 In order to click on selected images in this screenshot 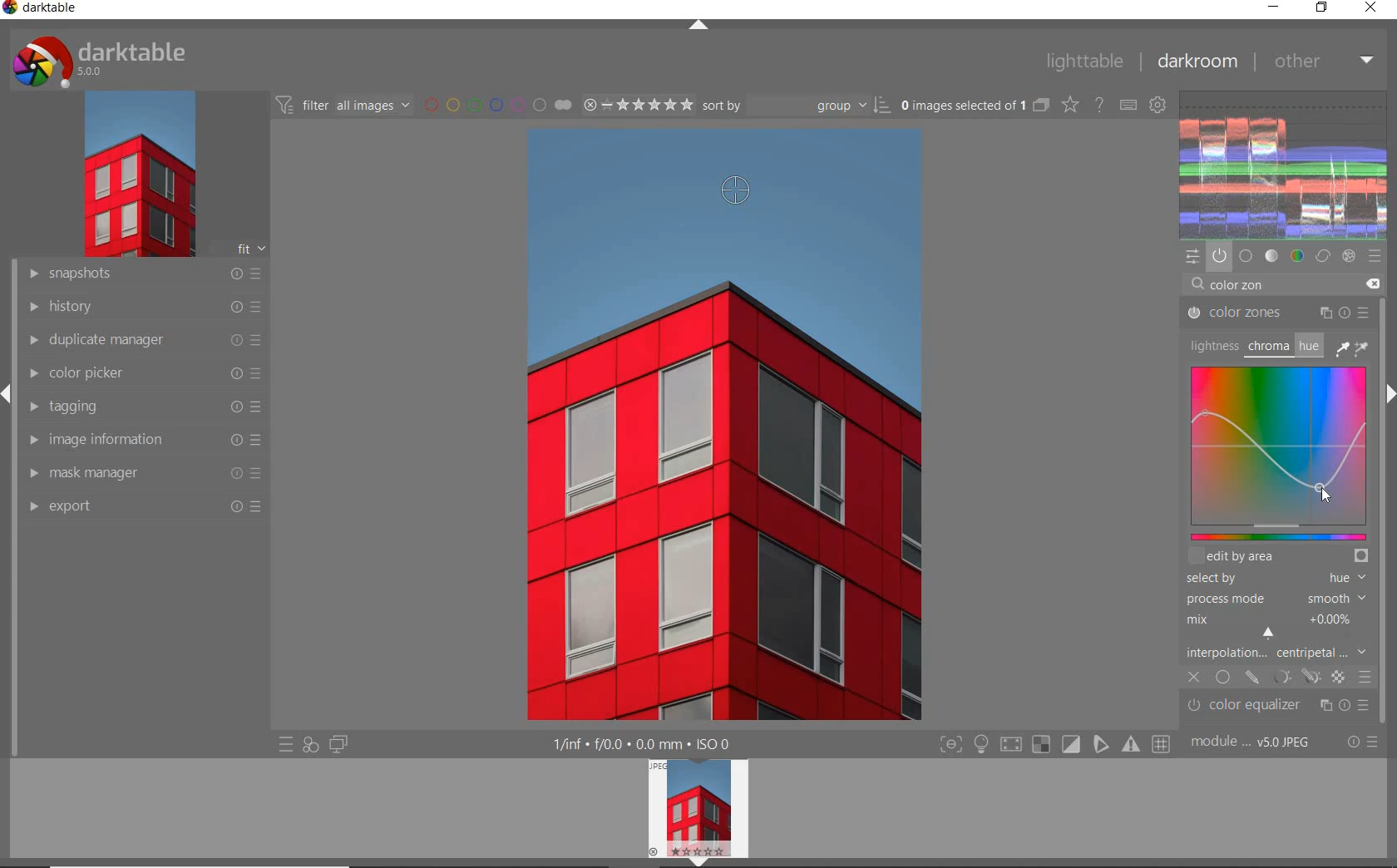, I will do `click(974, 106)`.